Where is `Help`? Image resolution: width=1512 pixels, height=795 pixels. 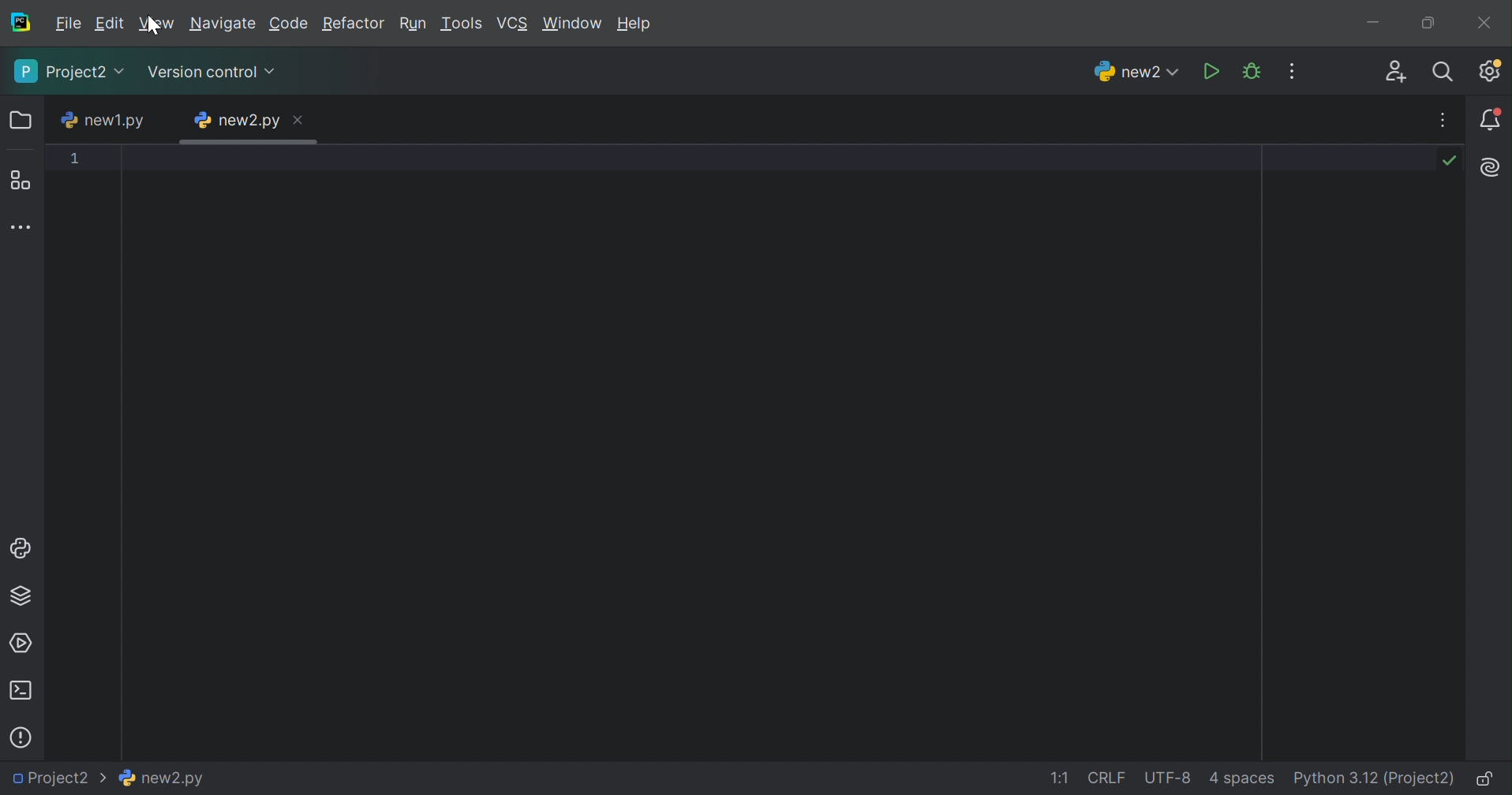 Help is located at coordinates (636, 25).